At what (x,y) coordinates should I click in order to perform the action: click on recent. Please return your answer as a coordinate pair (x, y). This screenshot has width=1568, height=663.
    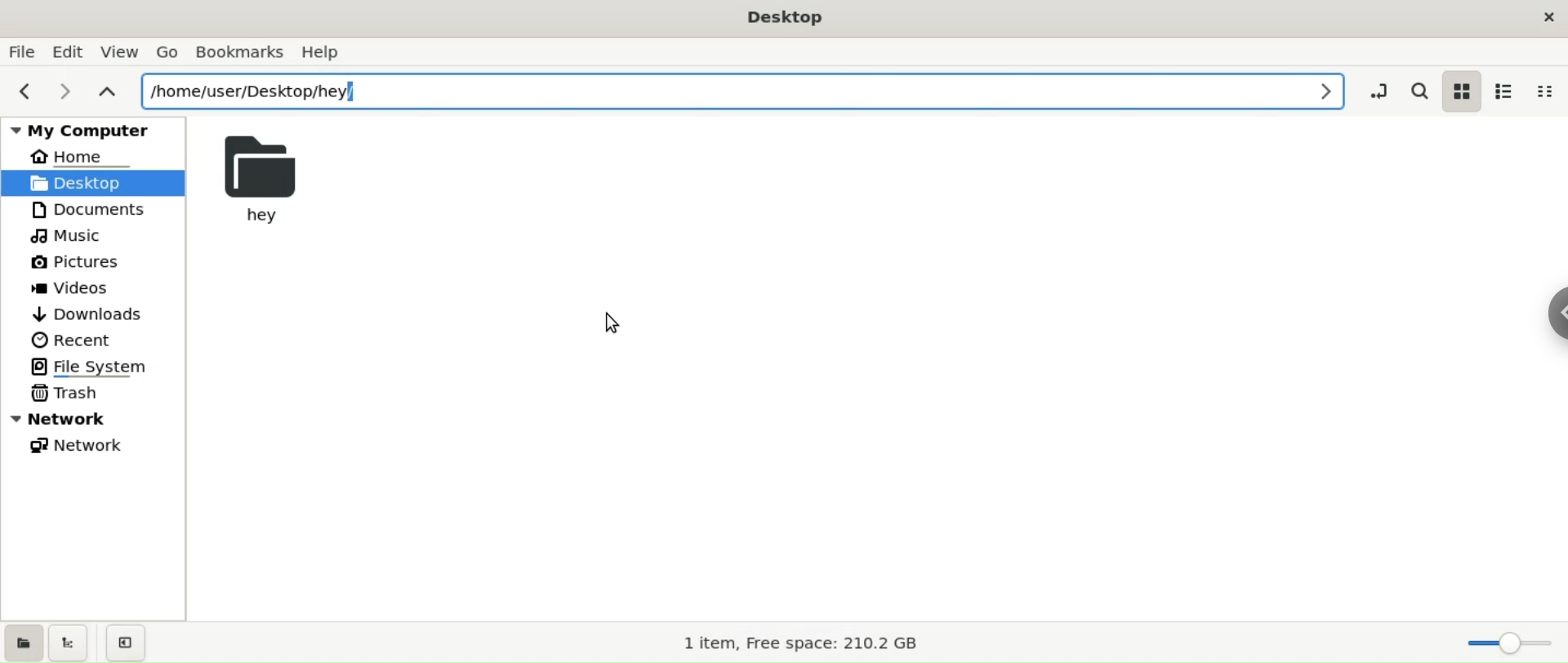
    Looking at the image, I should click on (74, 341).